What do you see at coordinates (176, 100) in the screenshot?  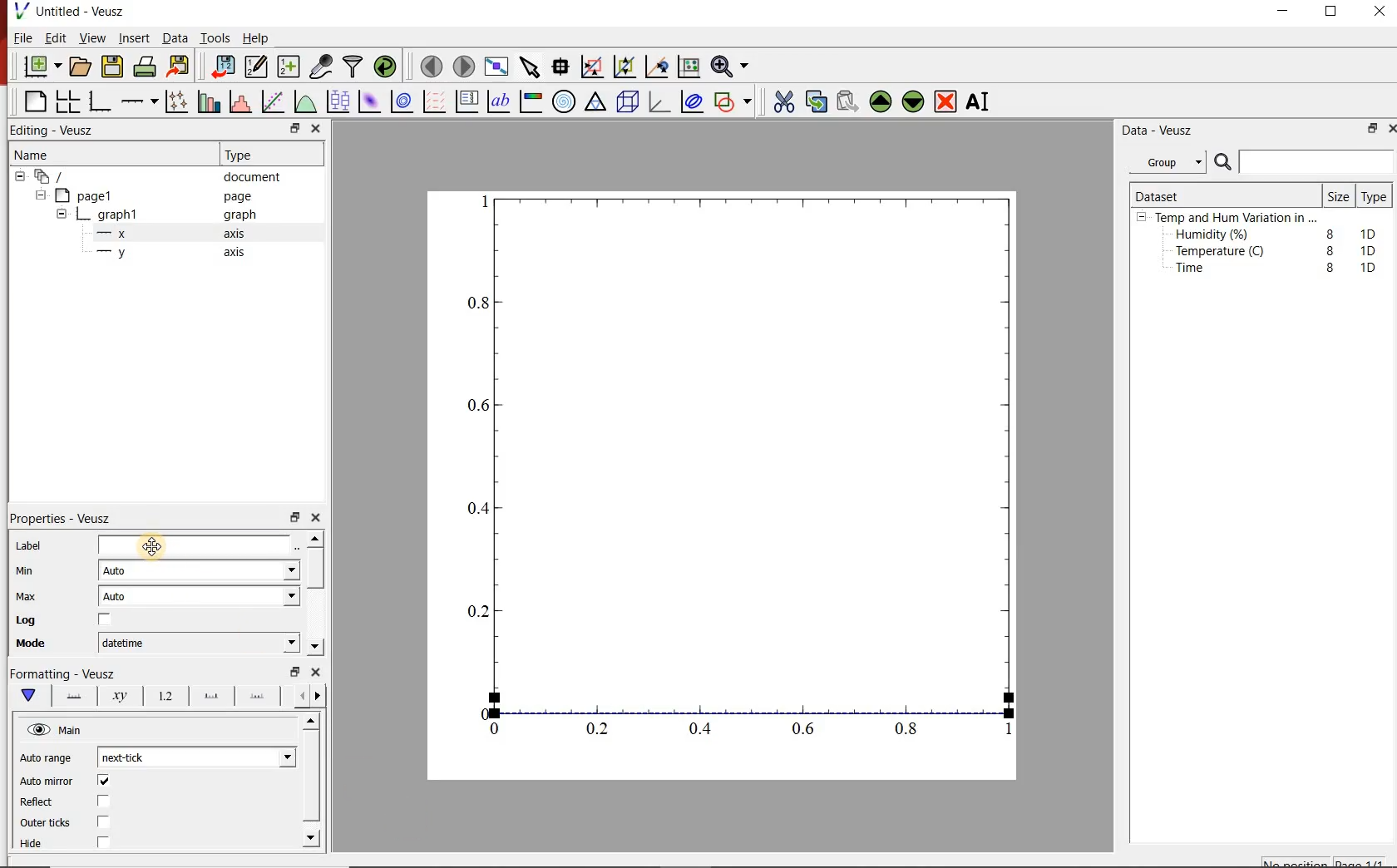 I see `Plot points with lines and error bars` at bounding box center [176, 100].